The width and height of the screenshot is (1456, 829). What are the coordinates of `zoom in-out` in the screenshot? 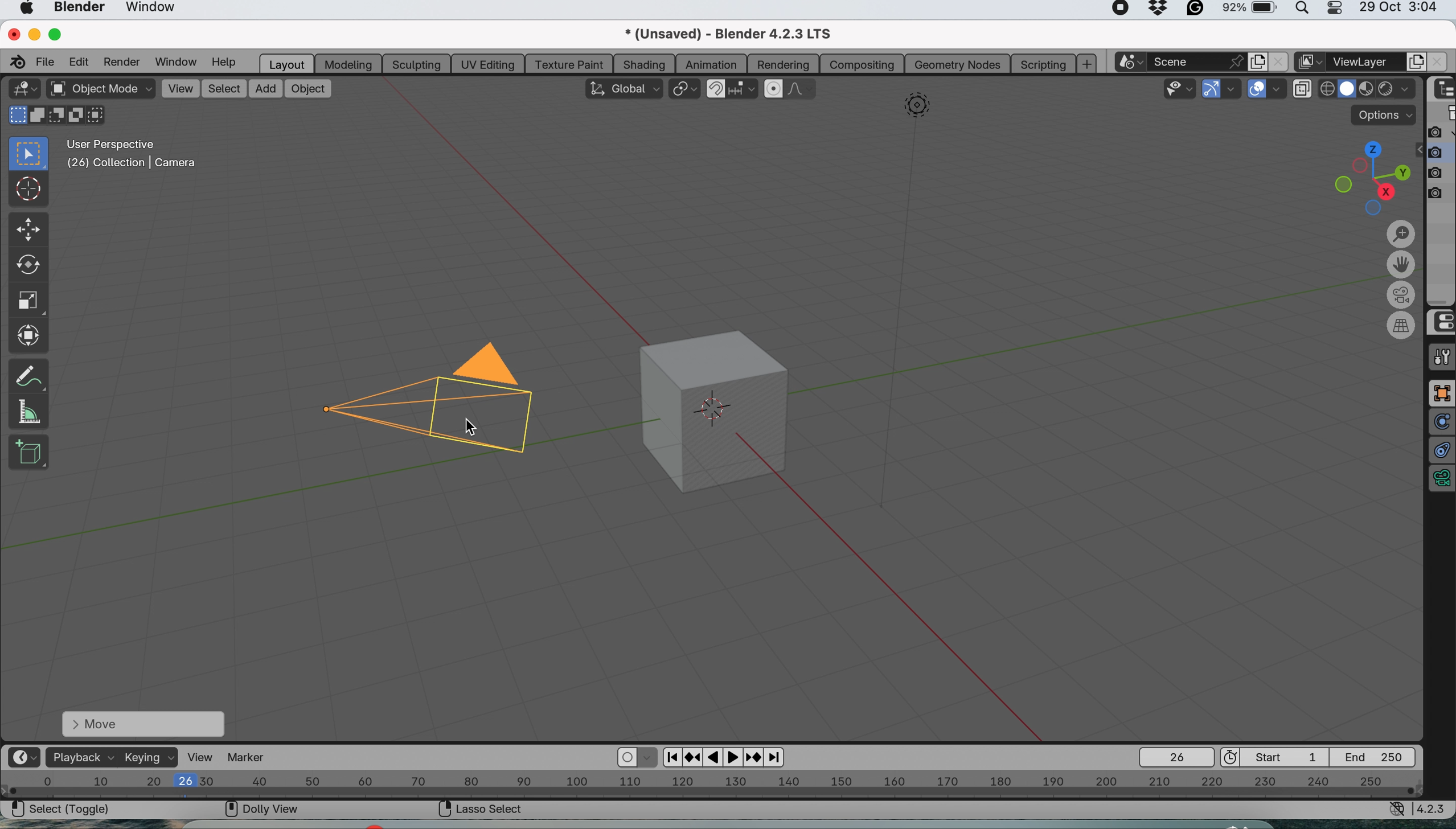 It's located at (1401, 235).